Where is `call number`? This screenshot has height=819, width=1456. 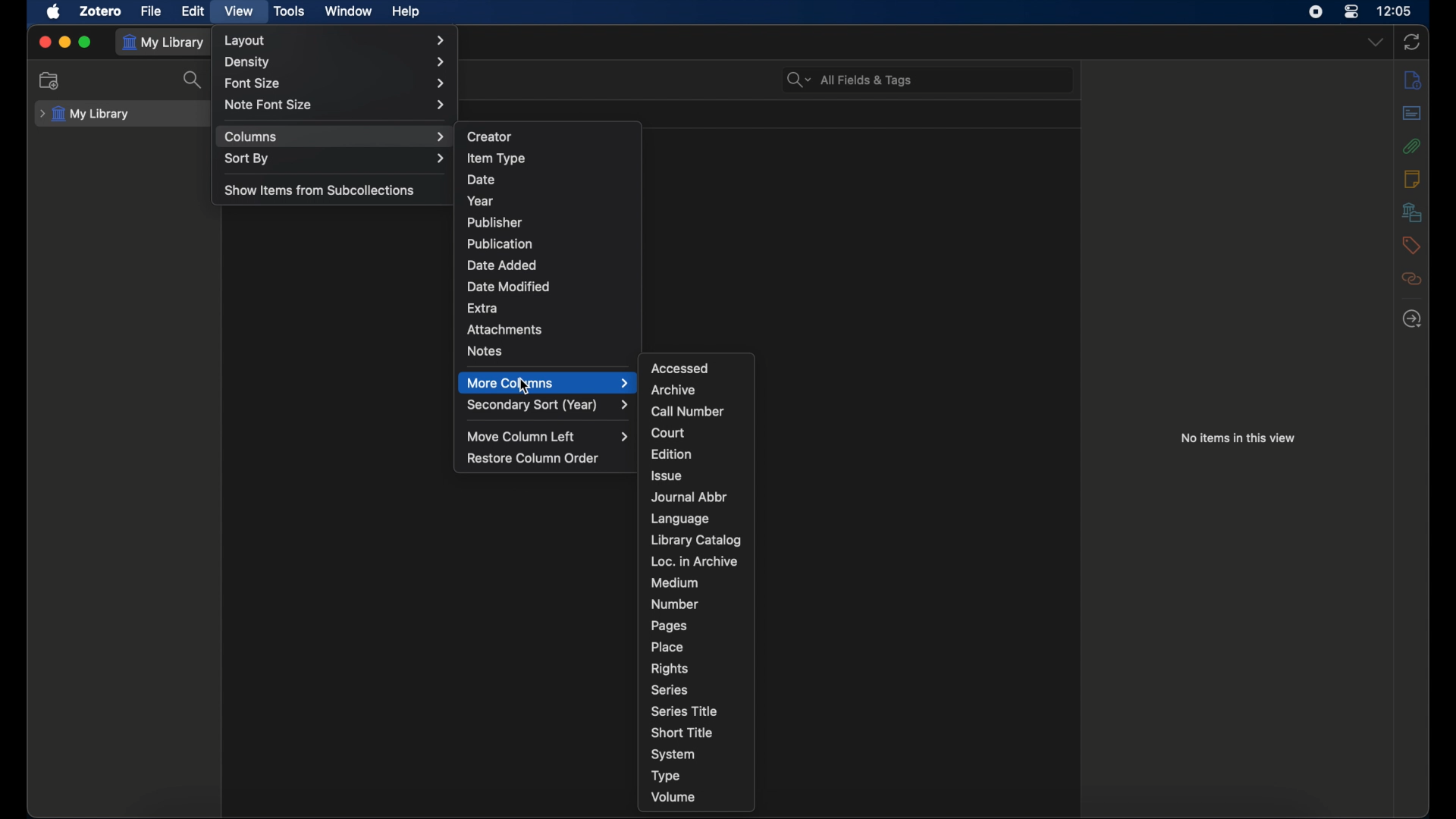
call number is located at coordinates (687, 412).